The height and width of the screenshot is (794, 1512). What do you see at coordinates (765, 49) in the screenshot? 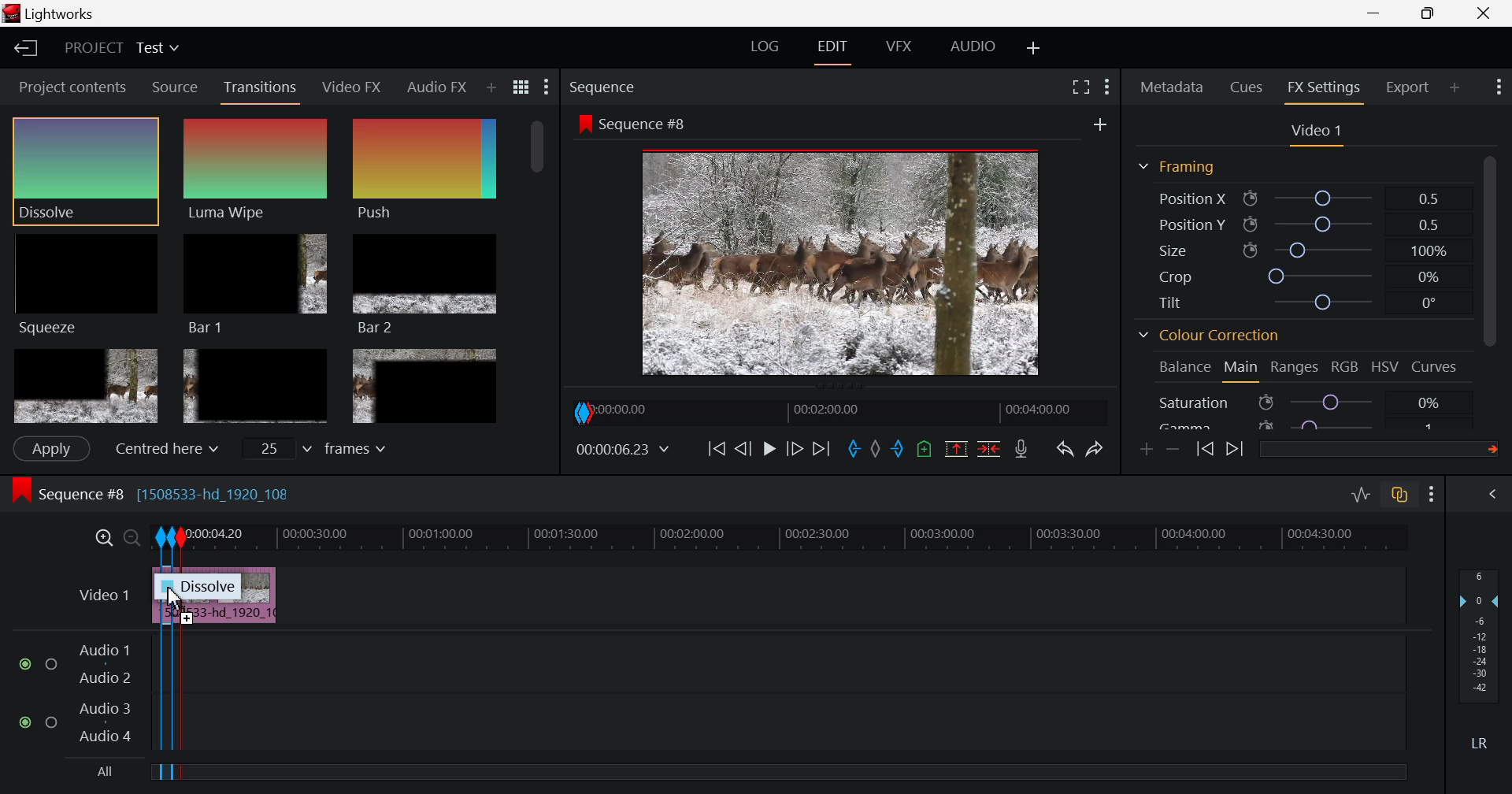
I see `LOG` at bounding box center [765, 49].